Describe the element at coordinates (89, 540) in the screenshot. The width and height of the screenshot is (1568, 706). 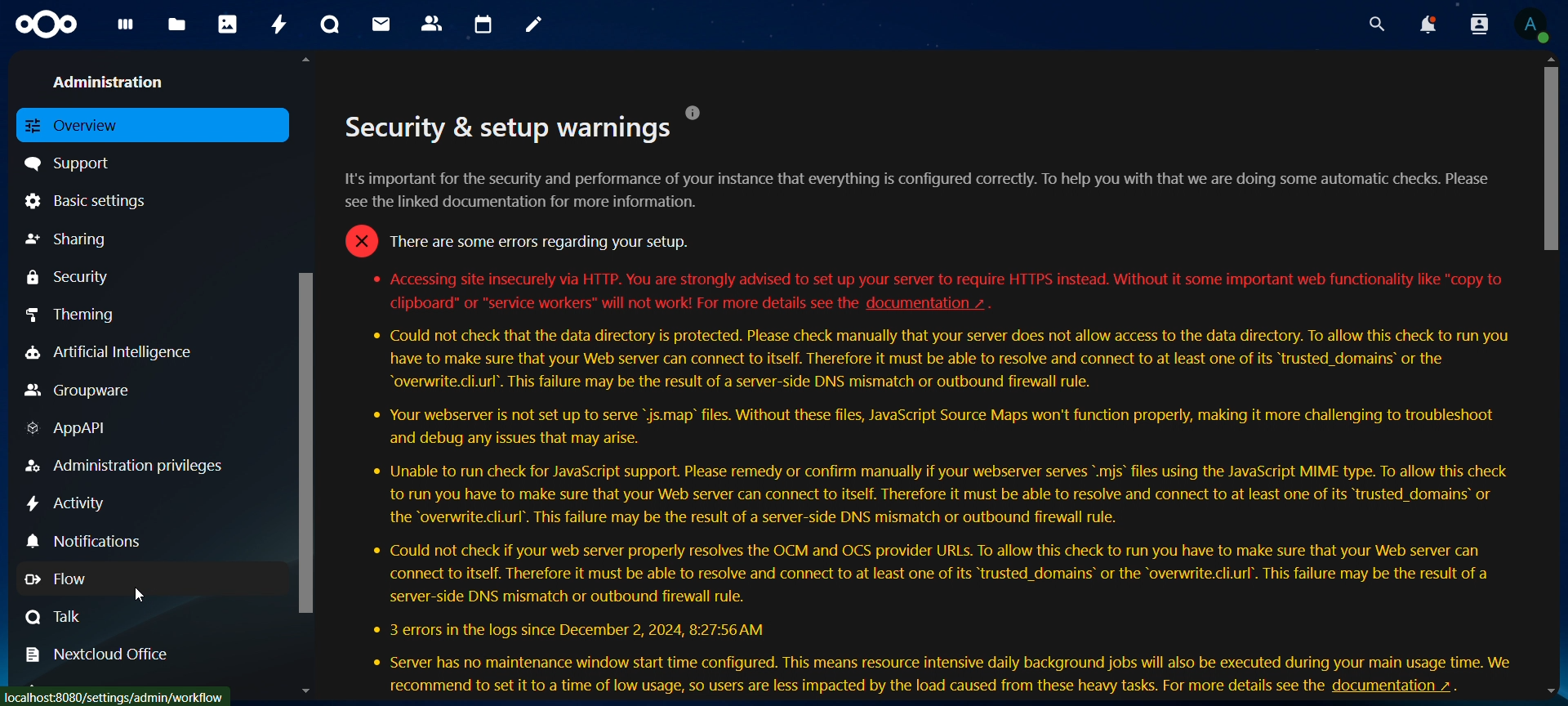
I see `notifications` at that location.